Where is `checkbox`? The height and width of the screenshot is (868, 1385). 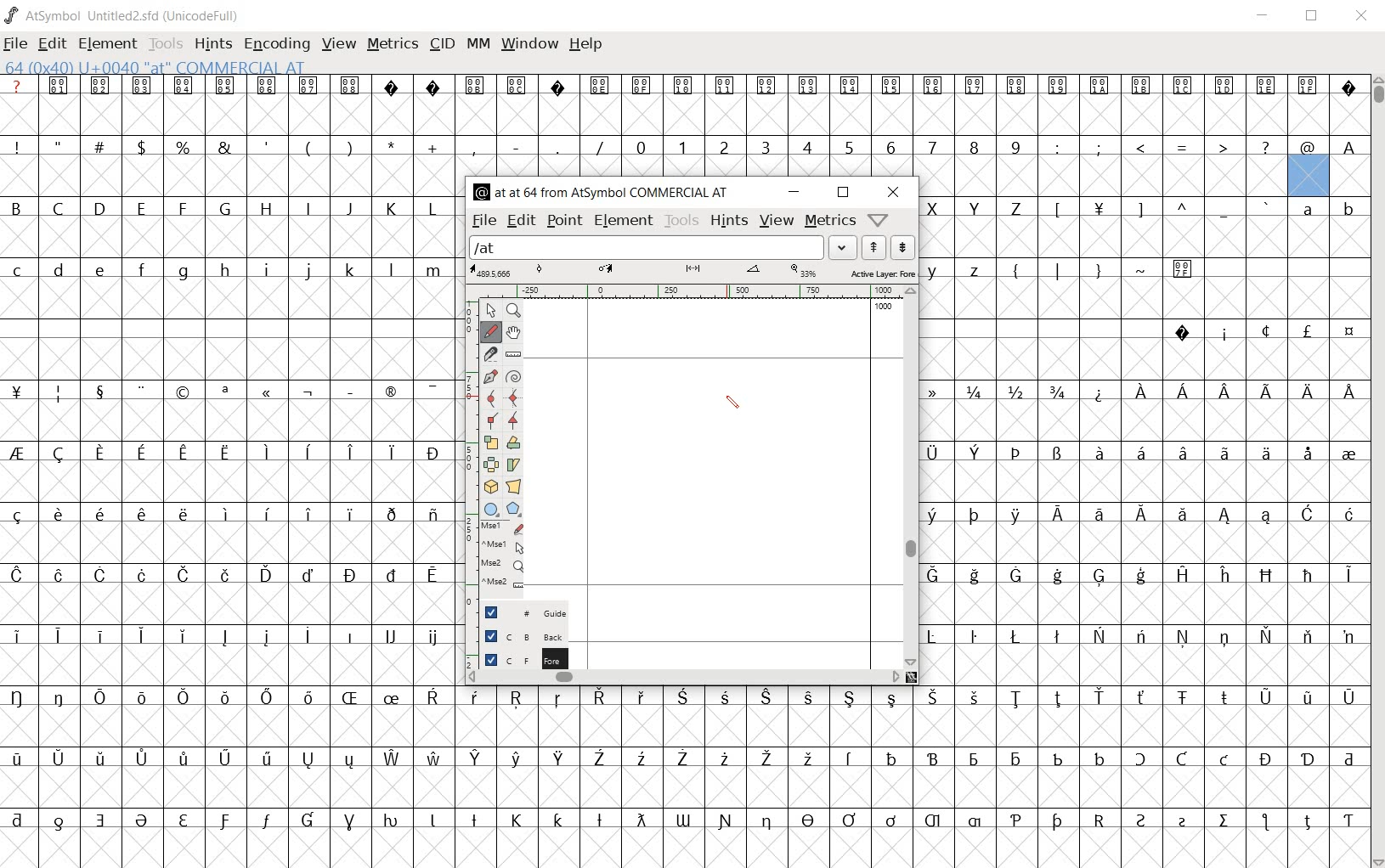 checkbox is located at coordinates (489, 612).